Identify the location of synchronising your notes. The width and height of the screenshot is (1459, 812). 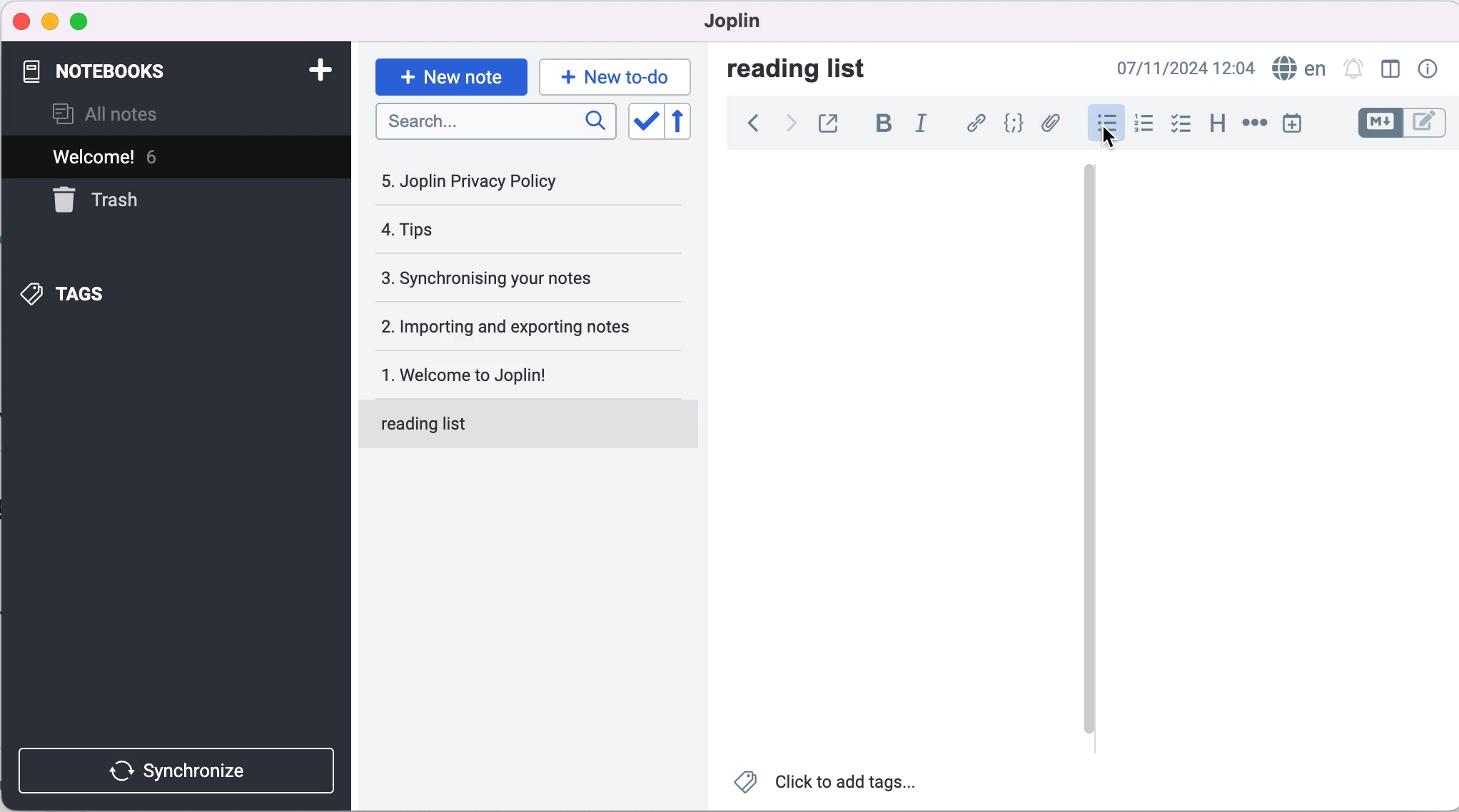
(525, 280).